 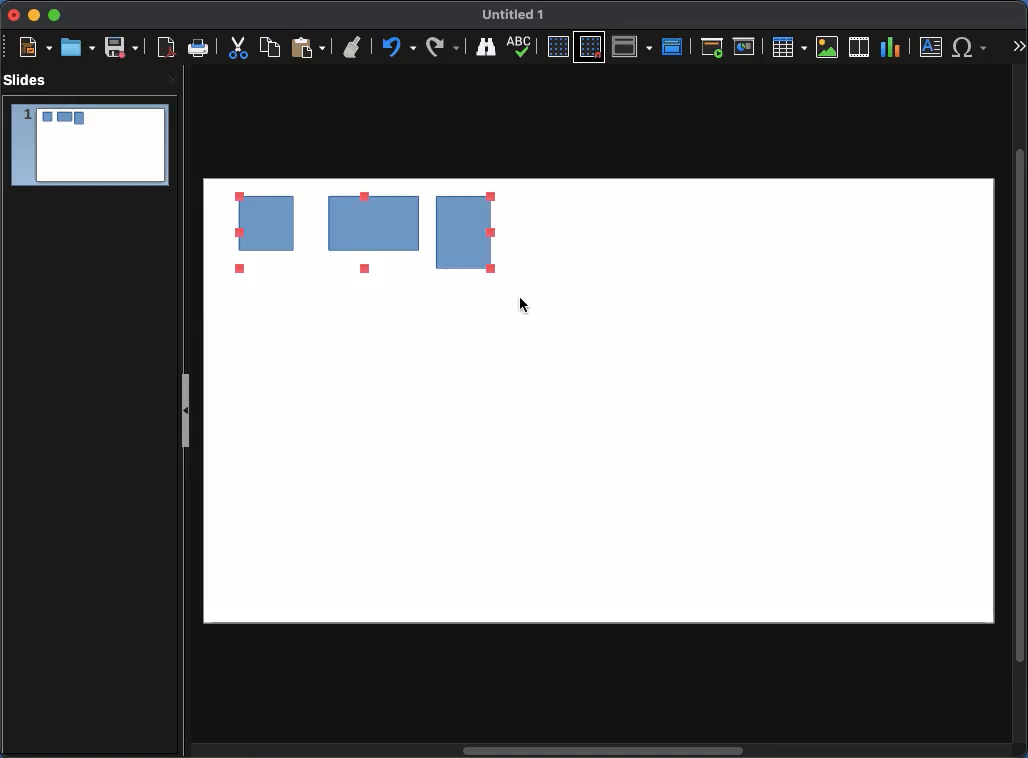 What do you see at coordinates (30, 47) in the screenshot?
I see `New` at bounding box center [30, 47].